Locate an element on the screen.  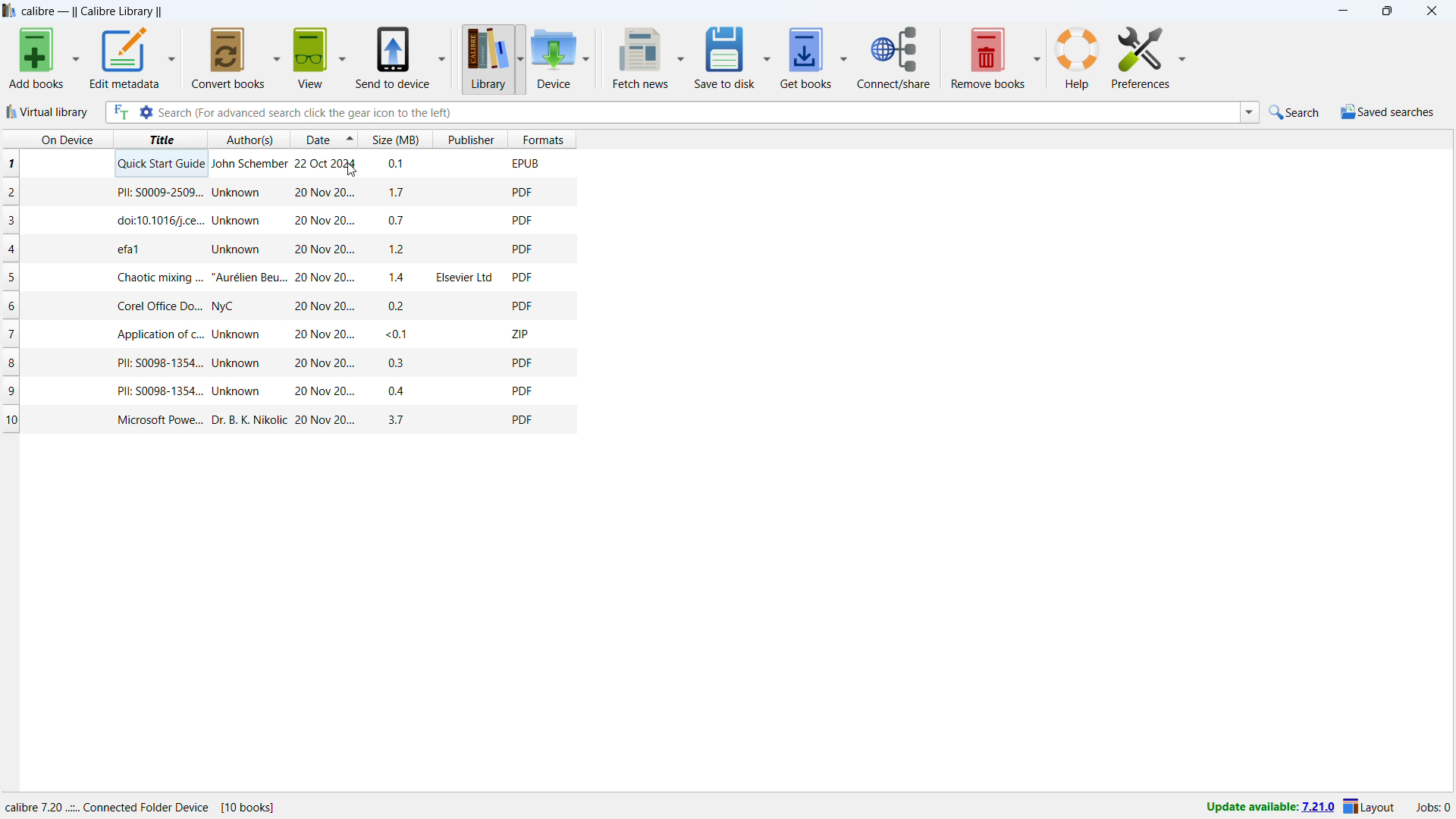
edit metadata options is located at coordinates (173, 57).